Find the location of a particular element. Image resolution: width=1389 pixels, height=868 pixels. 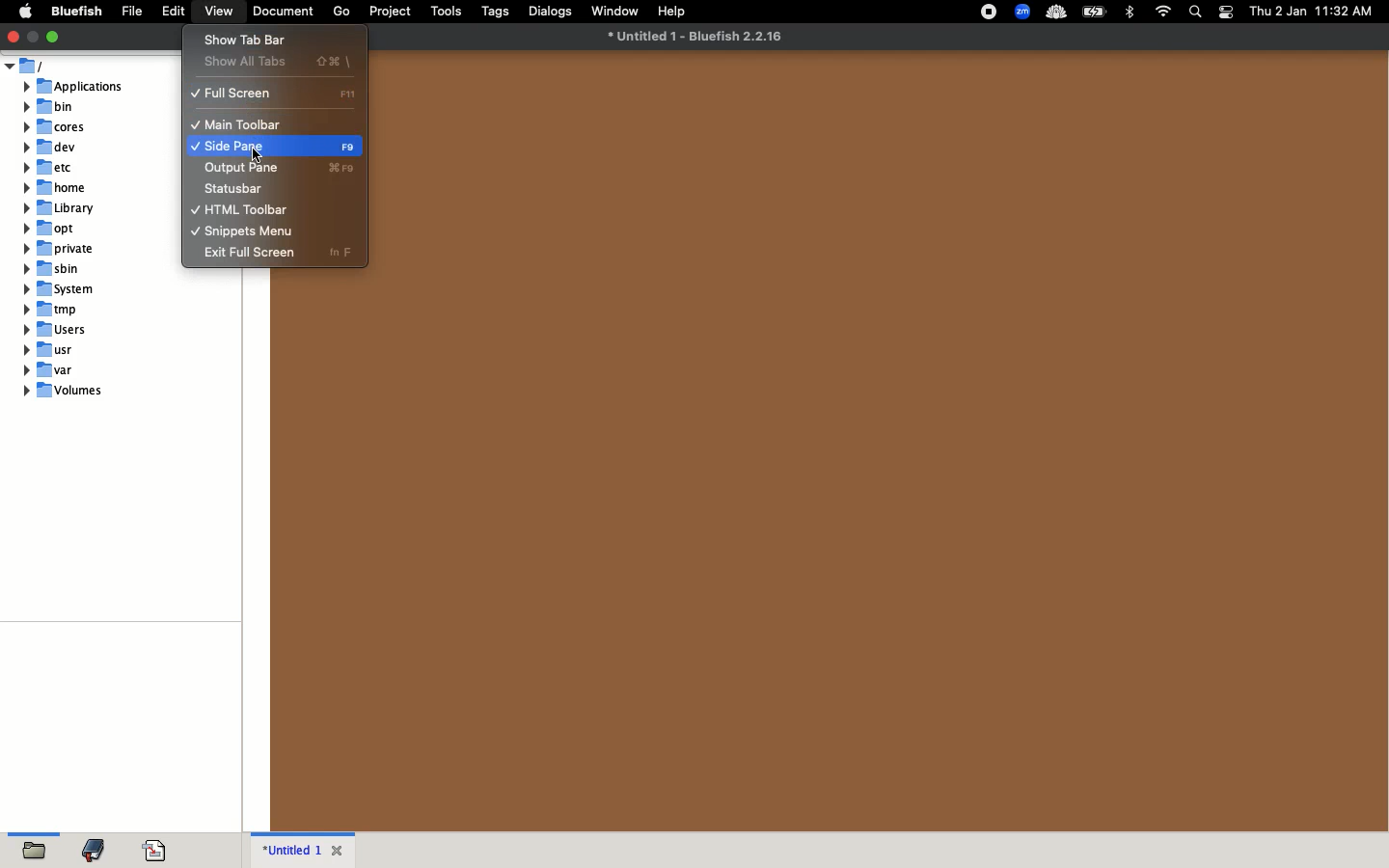

code is located at coordinates (154, 851).